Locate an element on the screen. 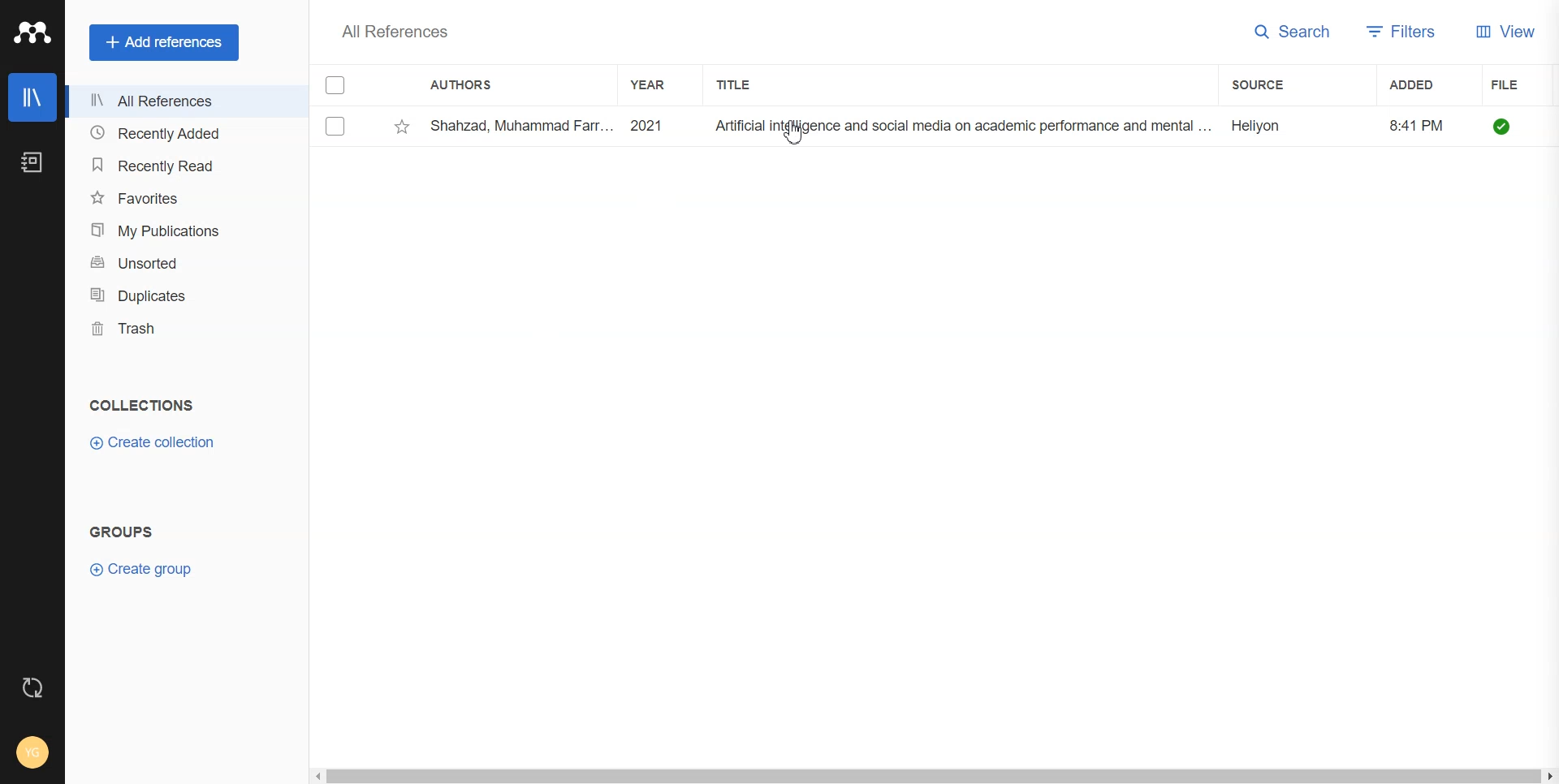 This screenshot has width=1559, height=784. Heliyon is located at coordinates (1265, 123).